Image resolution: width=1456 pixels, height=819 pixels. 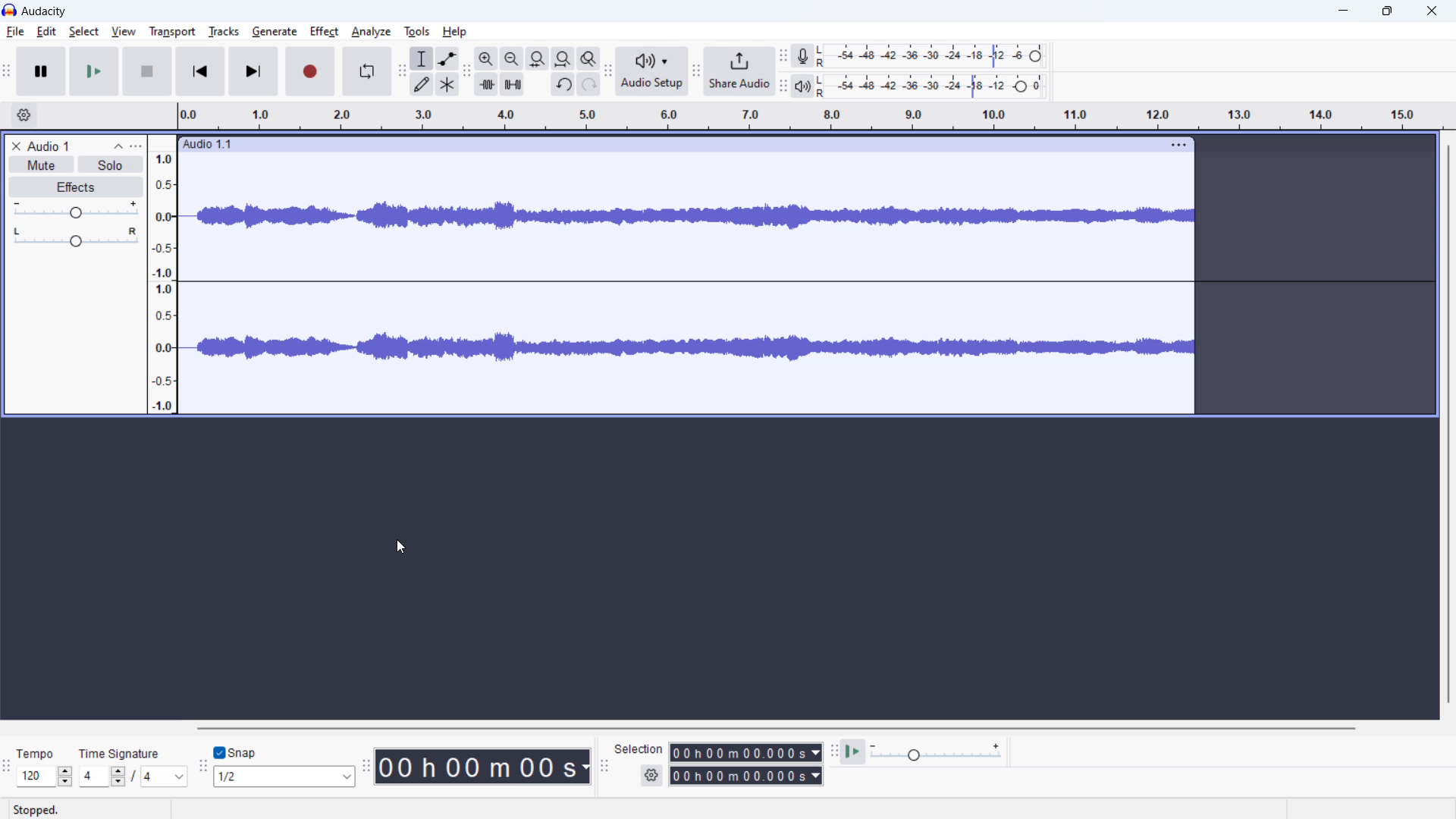 I want to click on enable looping, so click(x=366, y=71).